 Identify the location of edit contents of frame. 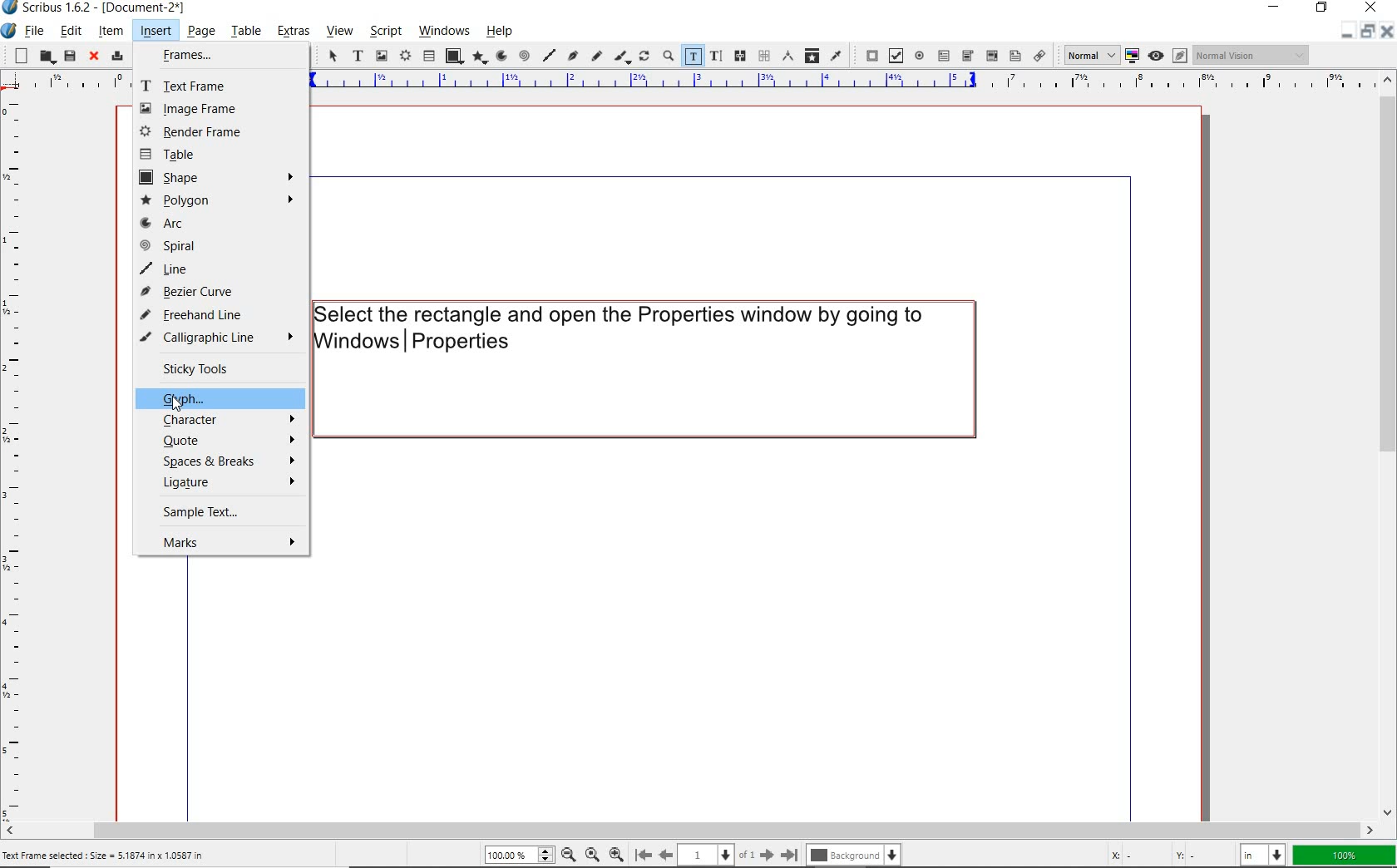
(692, 55).